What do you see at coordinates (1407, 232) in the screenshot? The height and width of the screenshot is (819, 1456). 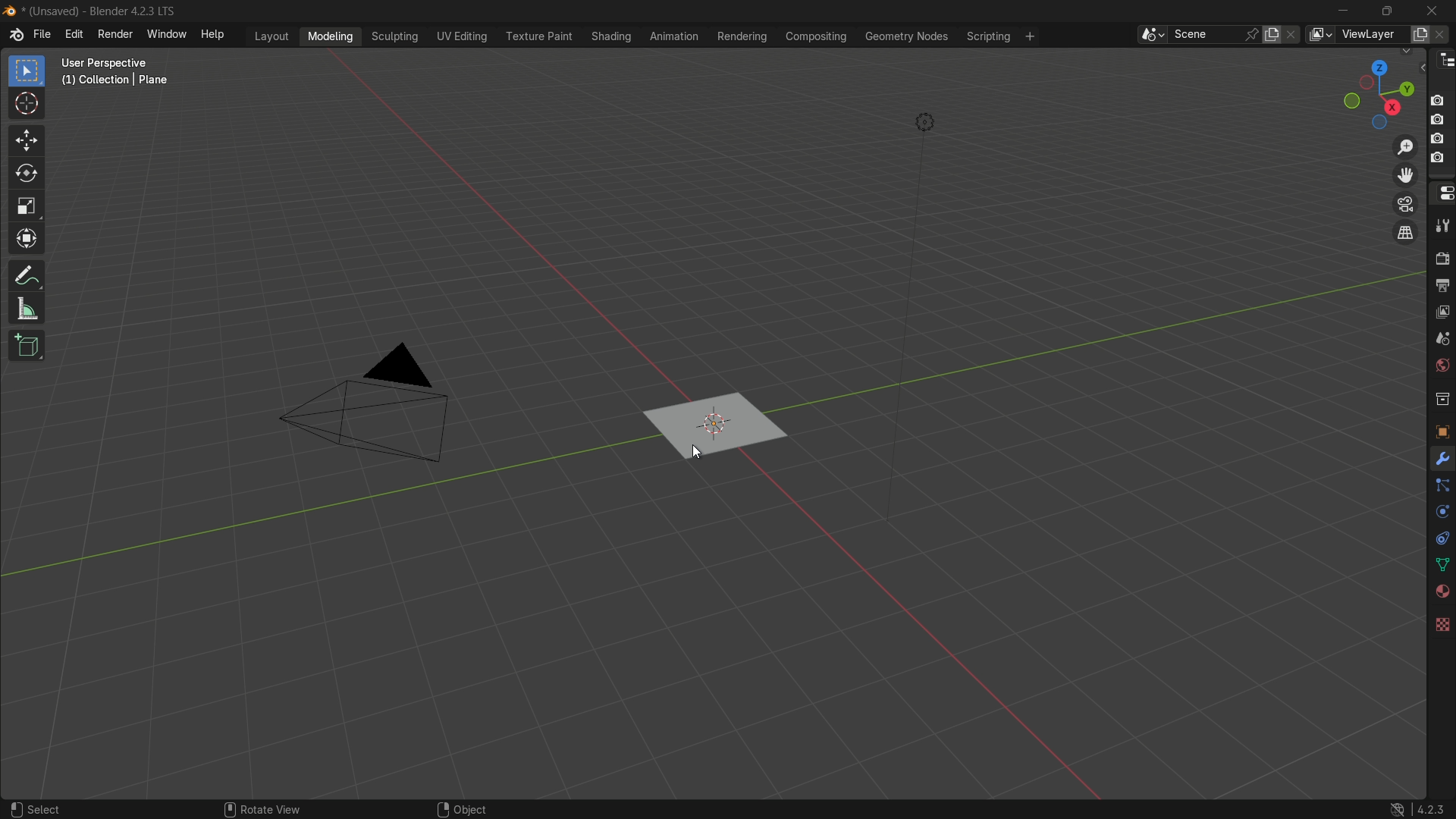 I see `switch the current view` at bounding box center [1407, 232].